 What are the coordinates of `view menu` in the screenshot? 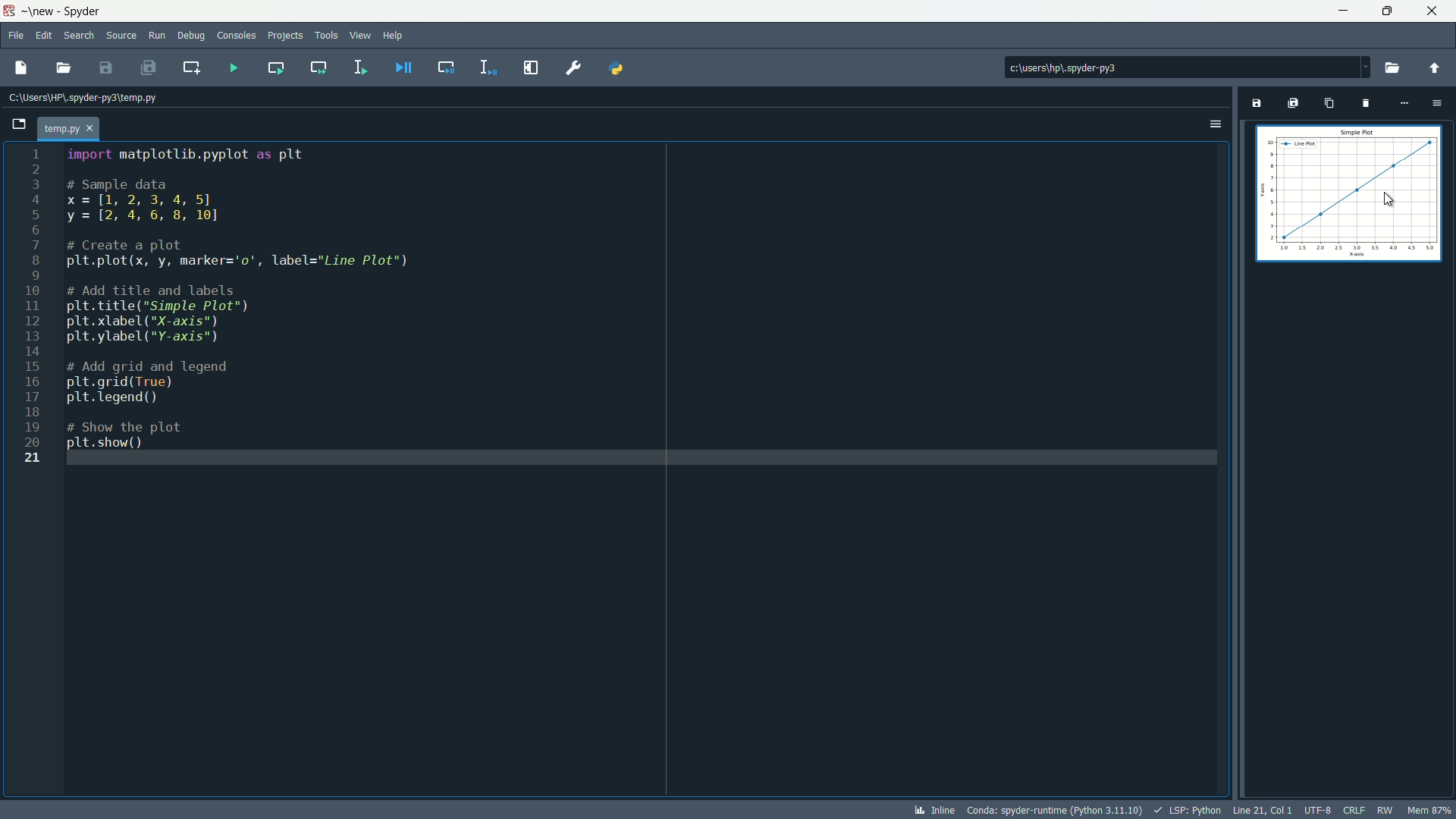 It's located at (359, 36).